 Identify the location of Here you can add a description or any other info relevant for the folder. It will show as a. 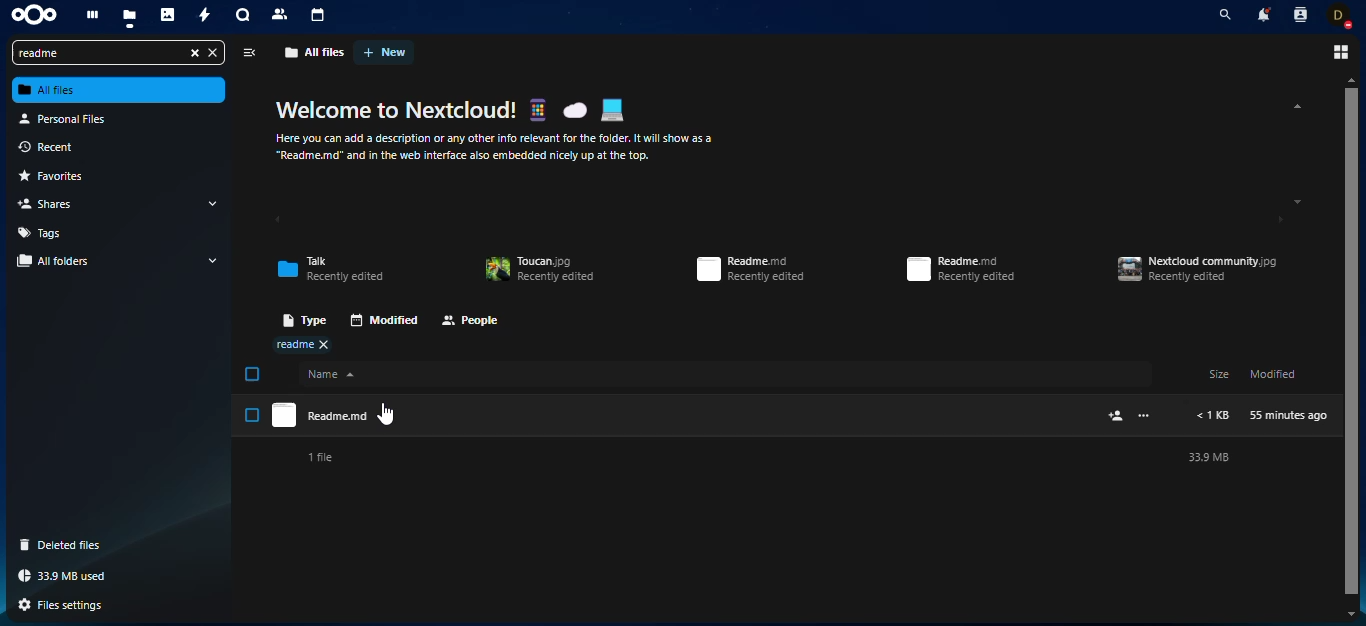
(496, 139).